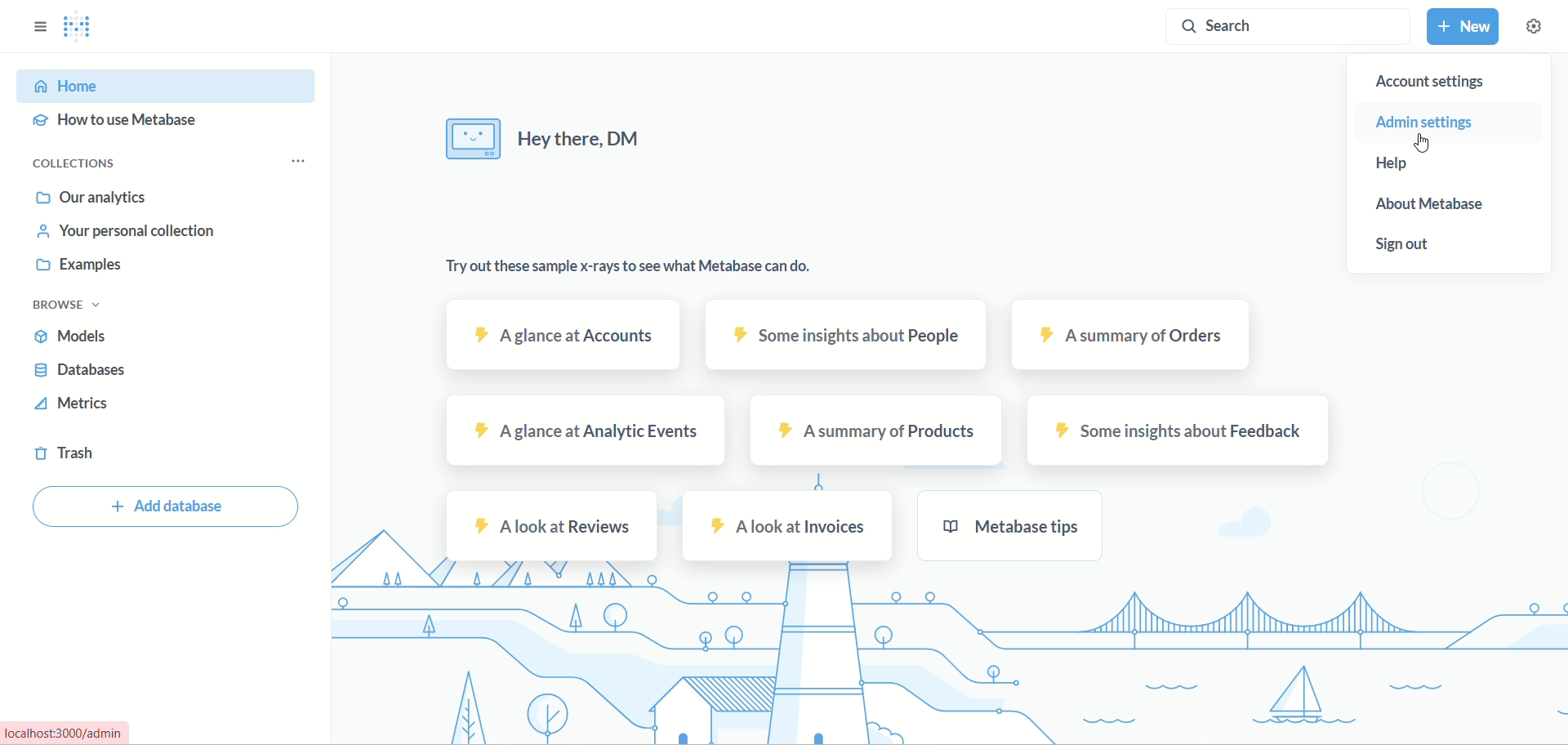 The height and width of the screenshot is (745, 1568). Describe the element at coordinates (1423, 144) in the screenshot. I see `cursor` at that location.